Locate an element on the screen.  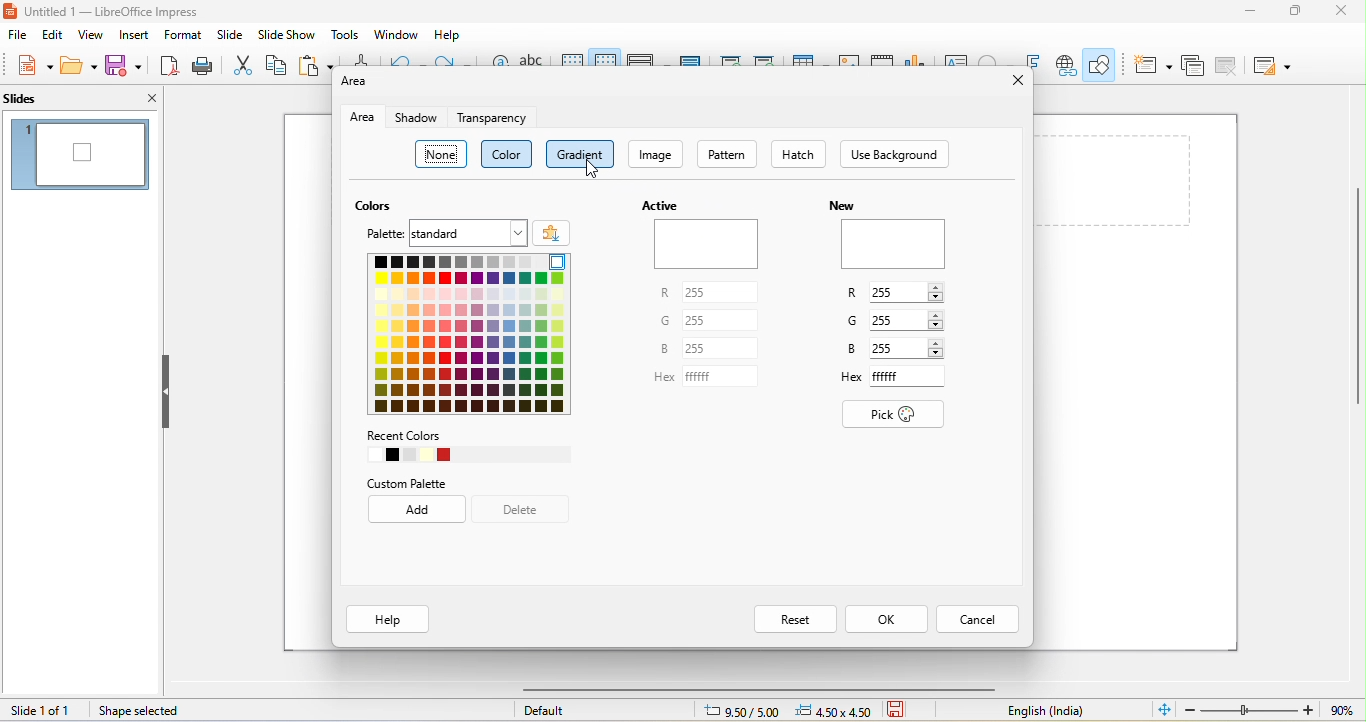
cursor and object position changed is located at coordinates (790, 710).